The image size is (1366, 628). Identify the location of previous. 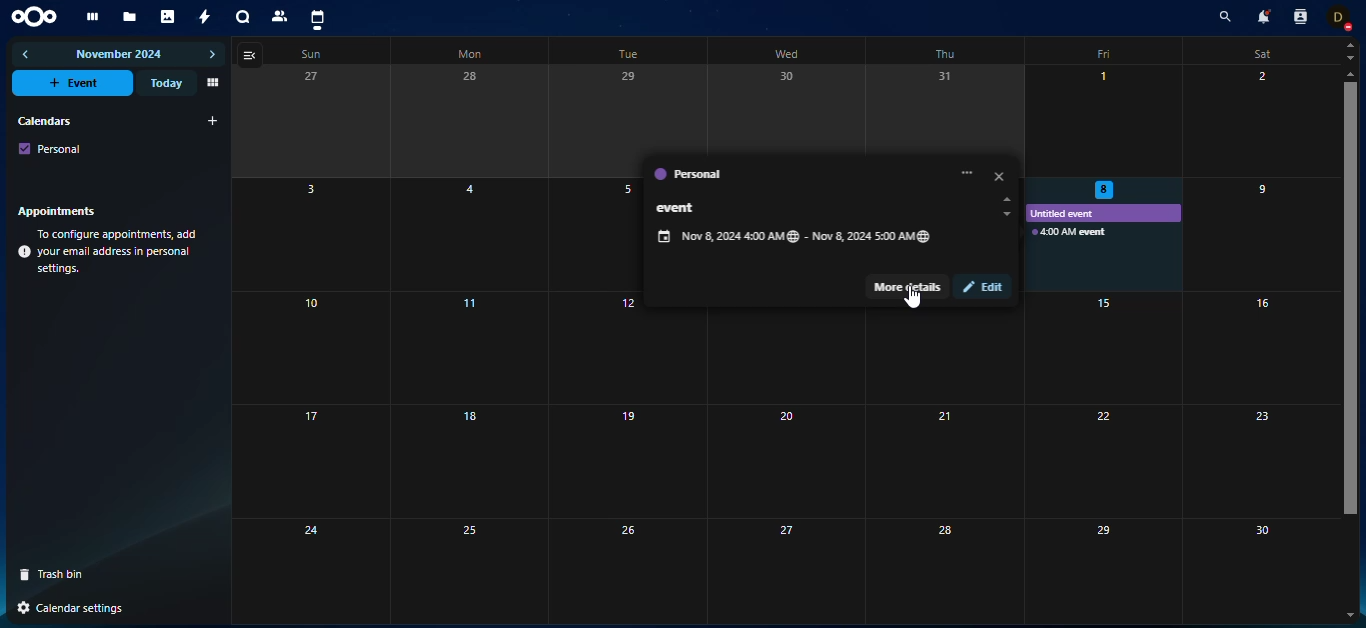
(27, 54).